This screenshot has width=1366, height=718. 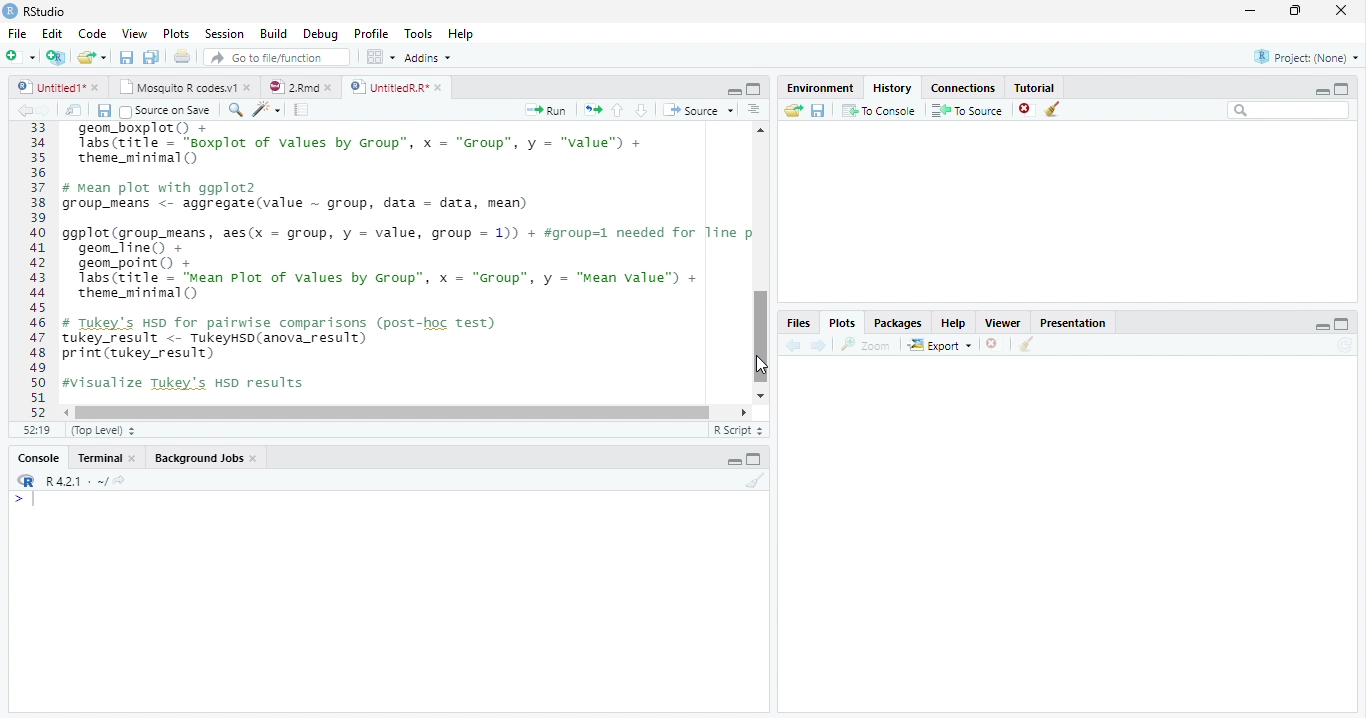 What do you see at coordinates (1305, 57) in the screenshot?
I see `Project (None)` at bounding box center [1305, 57].